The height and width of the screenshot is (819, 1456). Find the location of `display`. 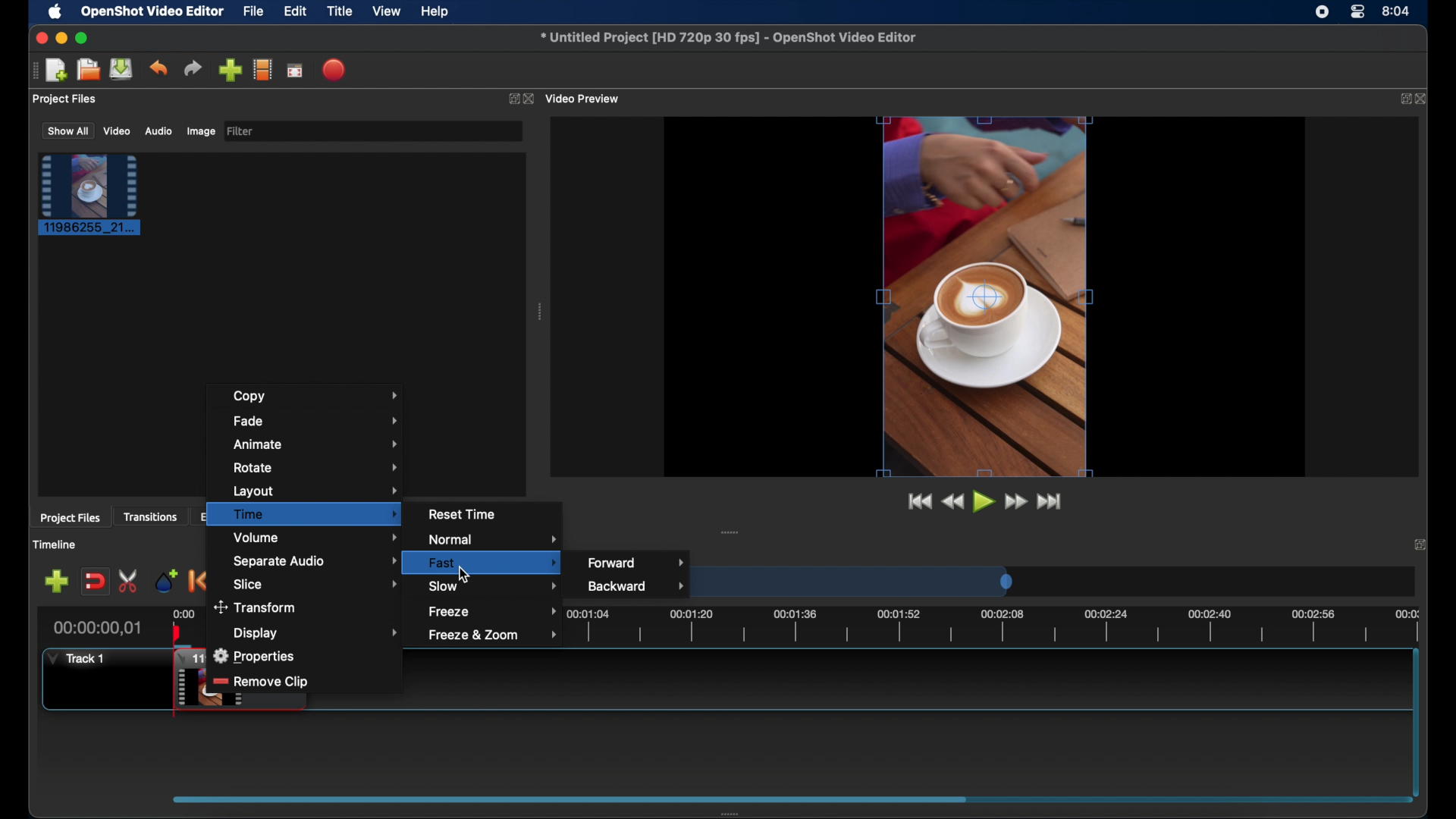

display is located at coordinates (318, 632).